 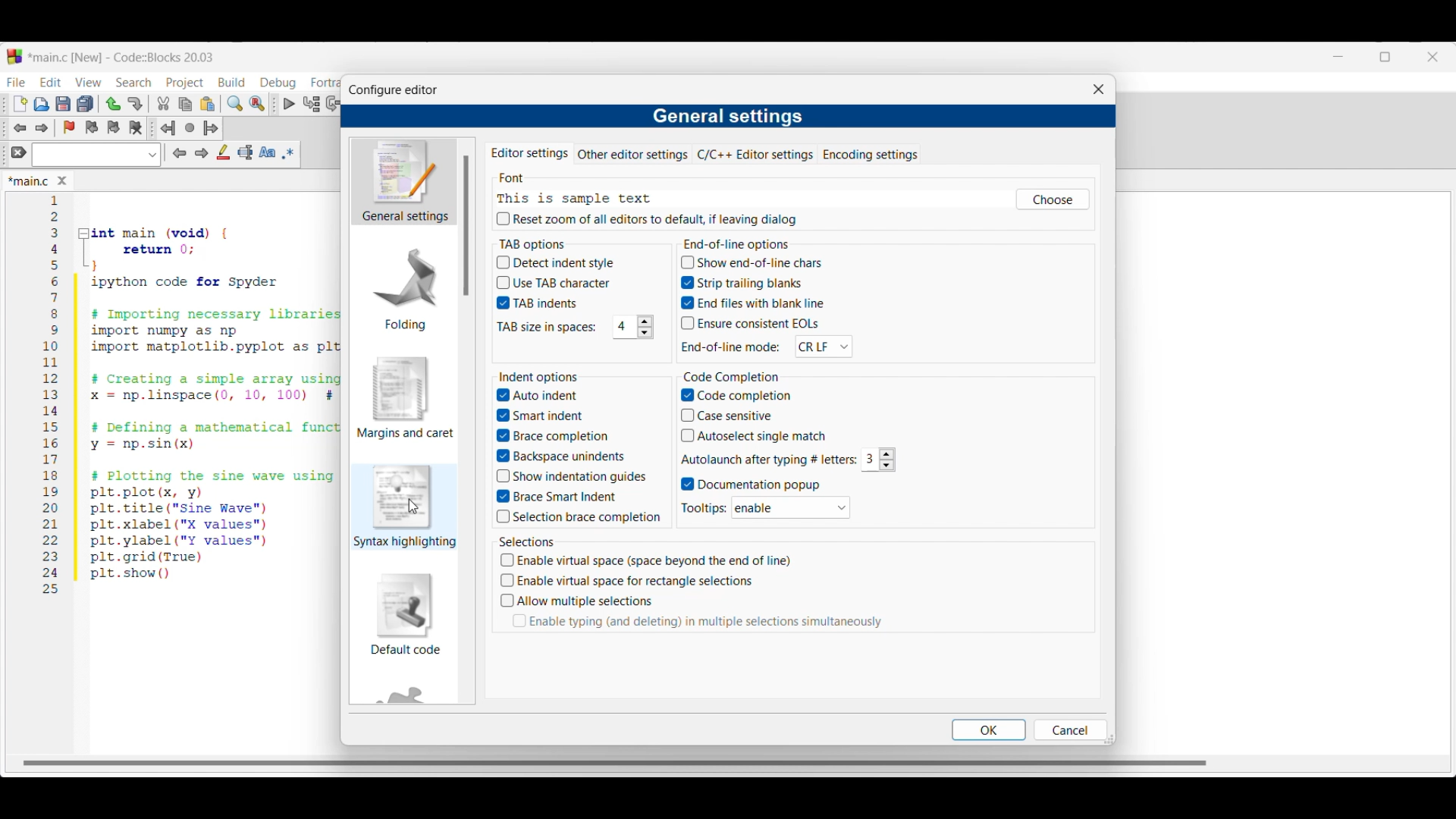 I want to click on Smart indent, so click(x=544, y=413).